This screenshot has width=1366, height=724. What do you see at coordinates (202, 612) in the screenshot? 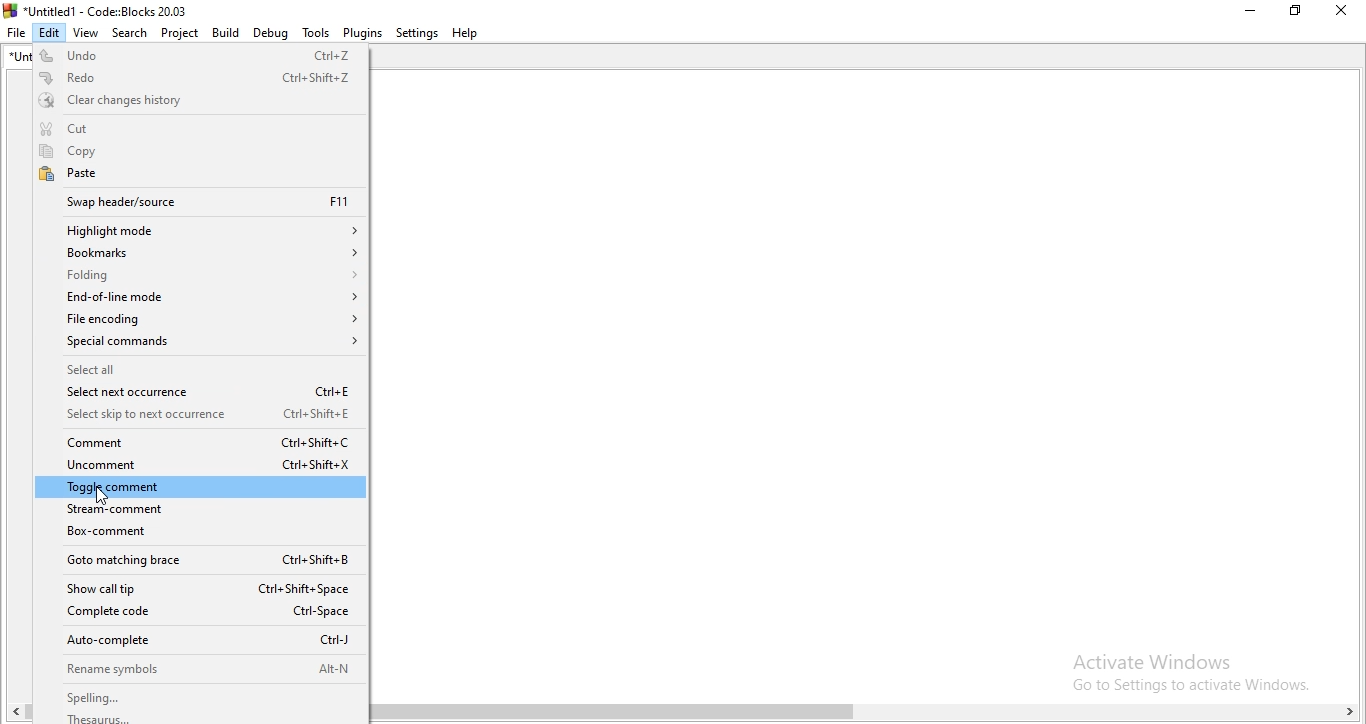
I see `Complete code` at bounding box center [202, 612].